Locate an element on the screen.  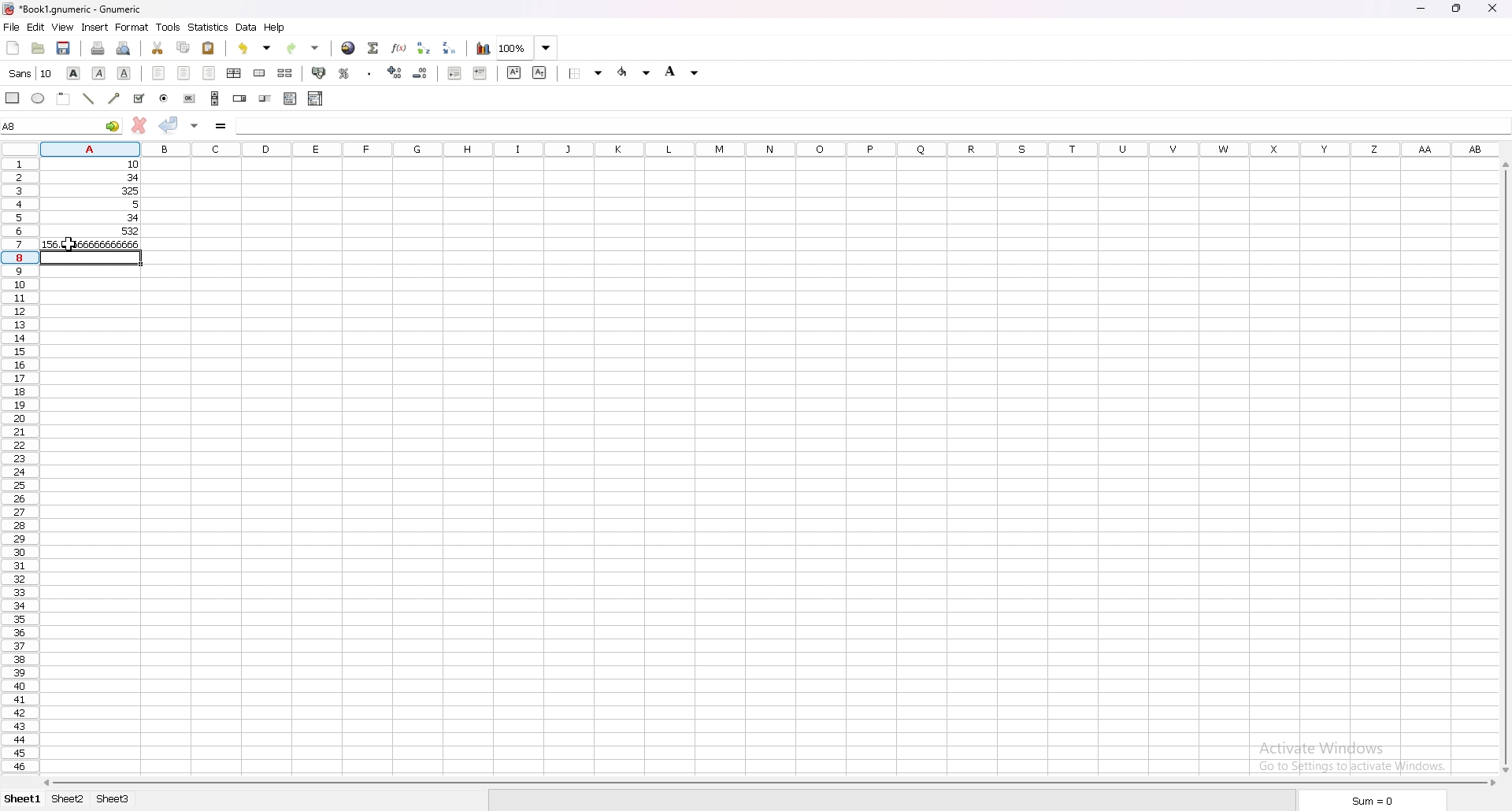
subscript is located at coordinates (539, 72).